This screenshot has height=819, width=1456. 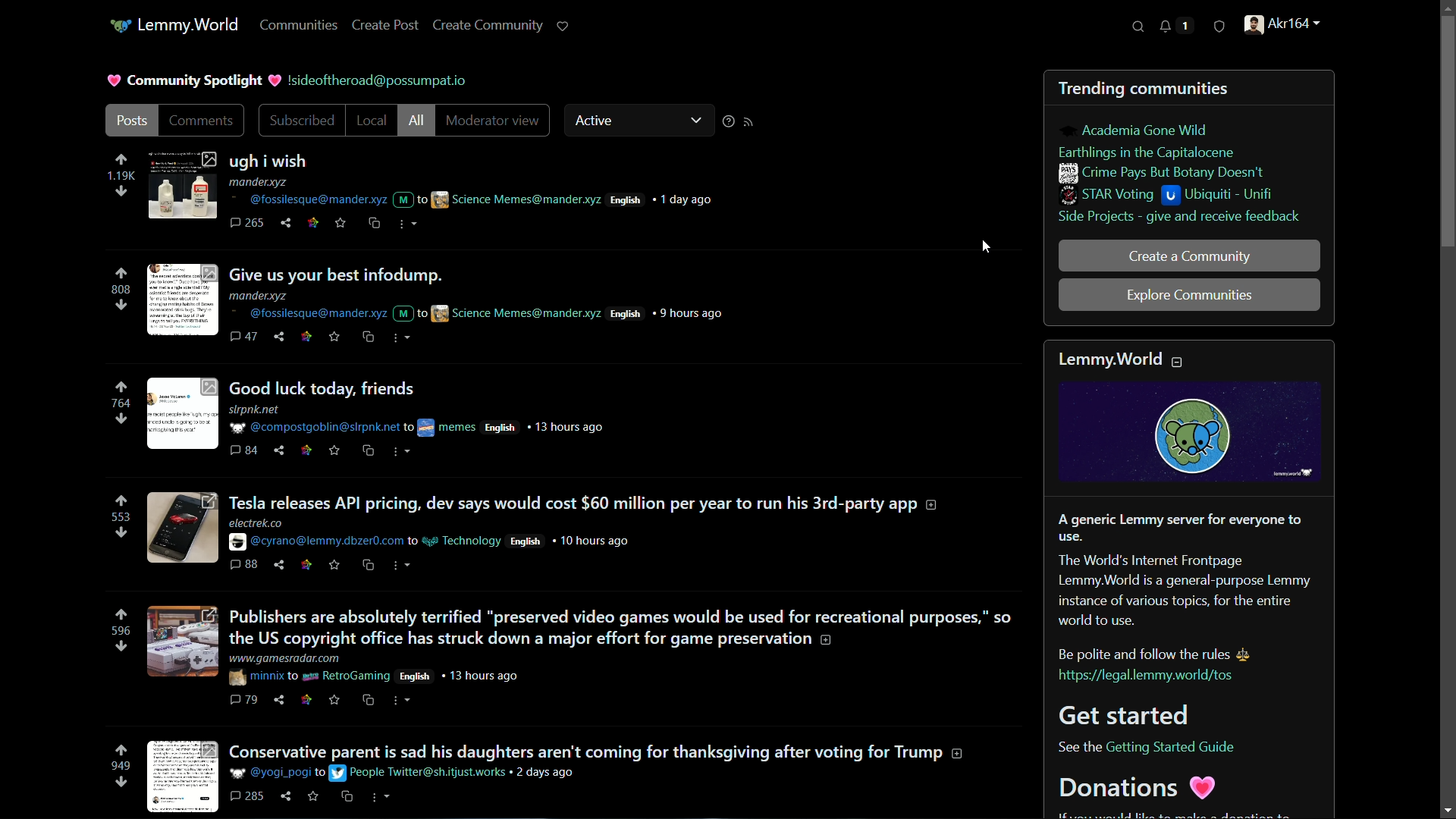 I want to click on Publishers are absolutely terrified "preserved video games would be used for recreational purposes,” so, so click(x=621, y=617).